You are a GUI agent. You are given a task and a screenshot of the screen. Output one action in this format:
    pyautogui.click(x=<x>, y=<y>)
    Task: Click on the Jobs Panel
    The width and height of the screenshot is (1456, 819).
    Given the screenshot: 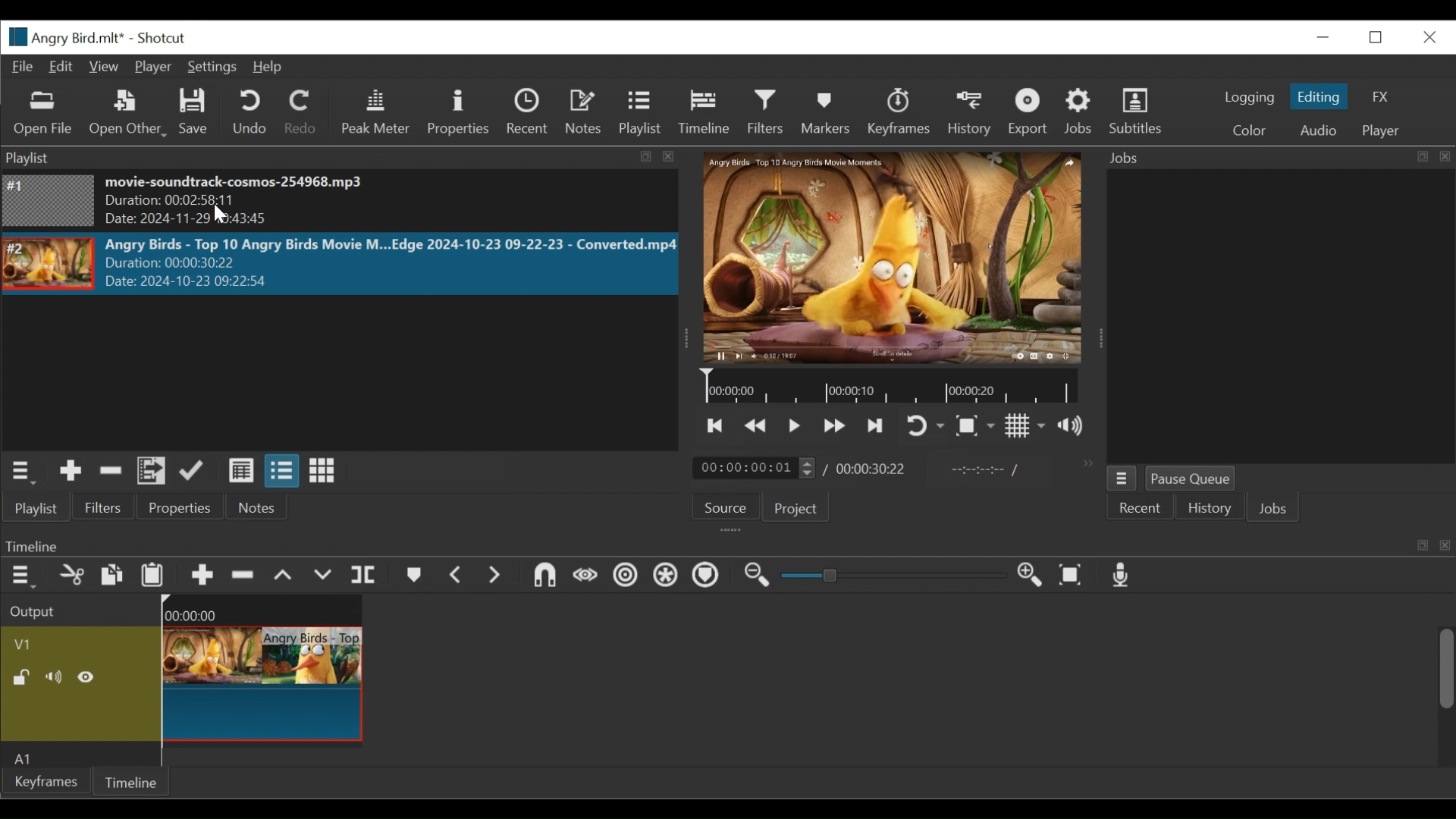 What is the action you would take?
    pyautogui.click(x=1265, y=317)
    